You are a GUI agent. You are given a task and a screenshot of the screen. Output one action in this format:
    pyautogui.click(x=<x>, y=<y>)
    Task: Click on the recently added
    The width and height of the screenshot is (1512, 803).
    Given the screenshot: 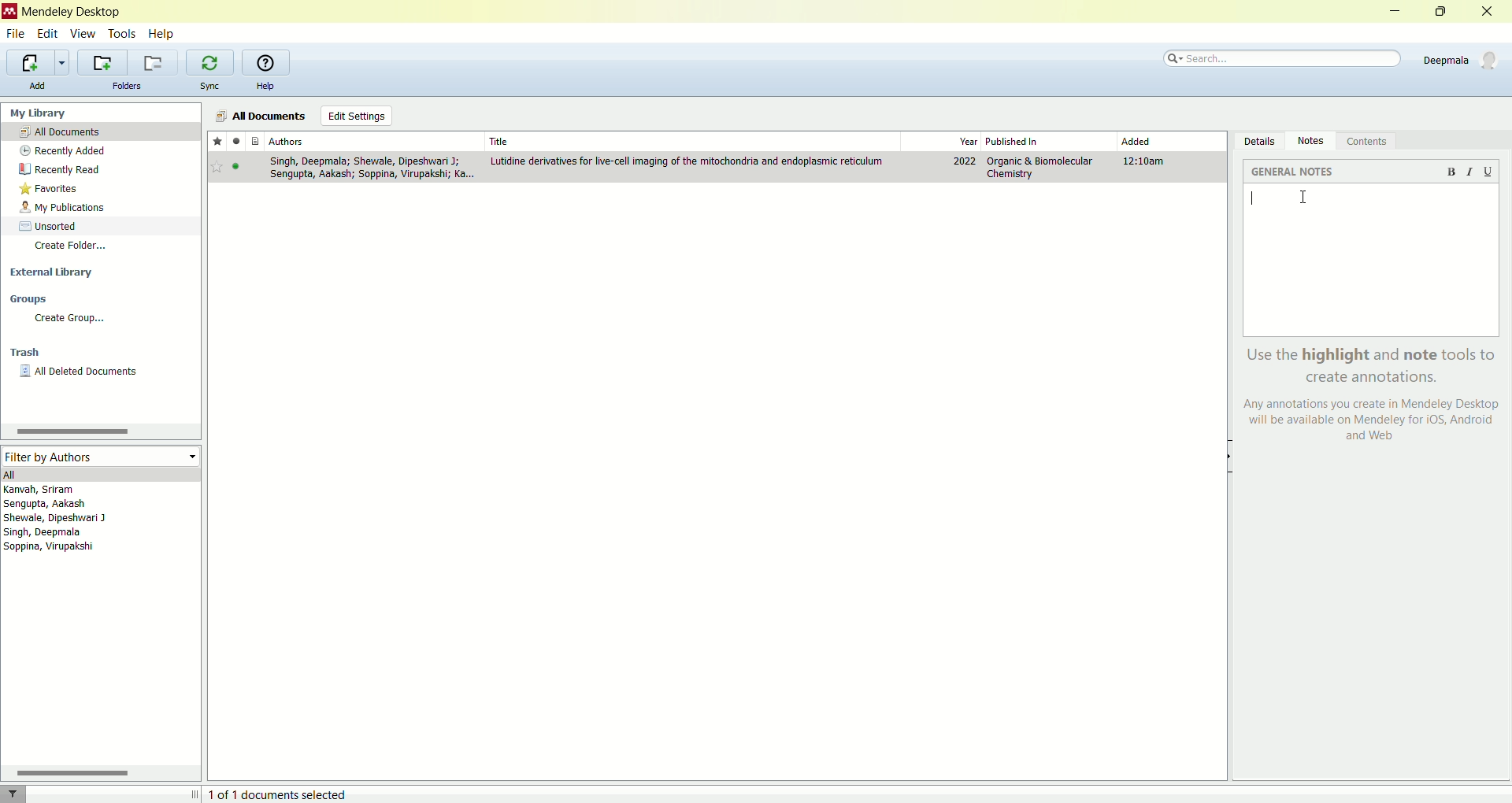 What is the action you would take?
    pyautogui.click(x=99, y=151)
    